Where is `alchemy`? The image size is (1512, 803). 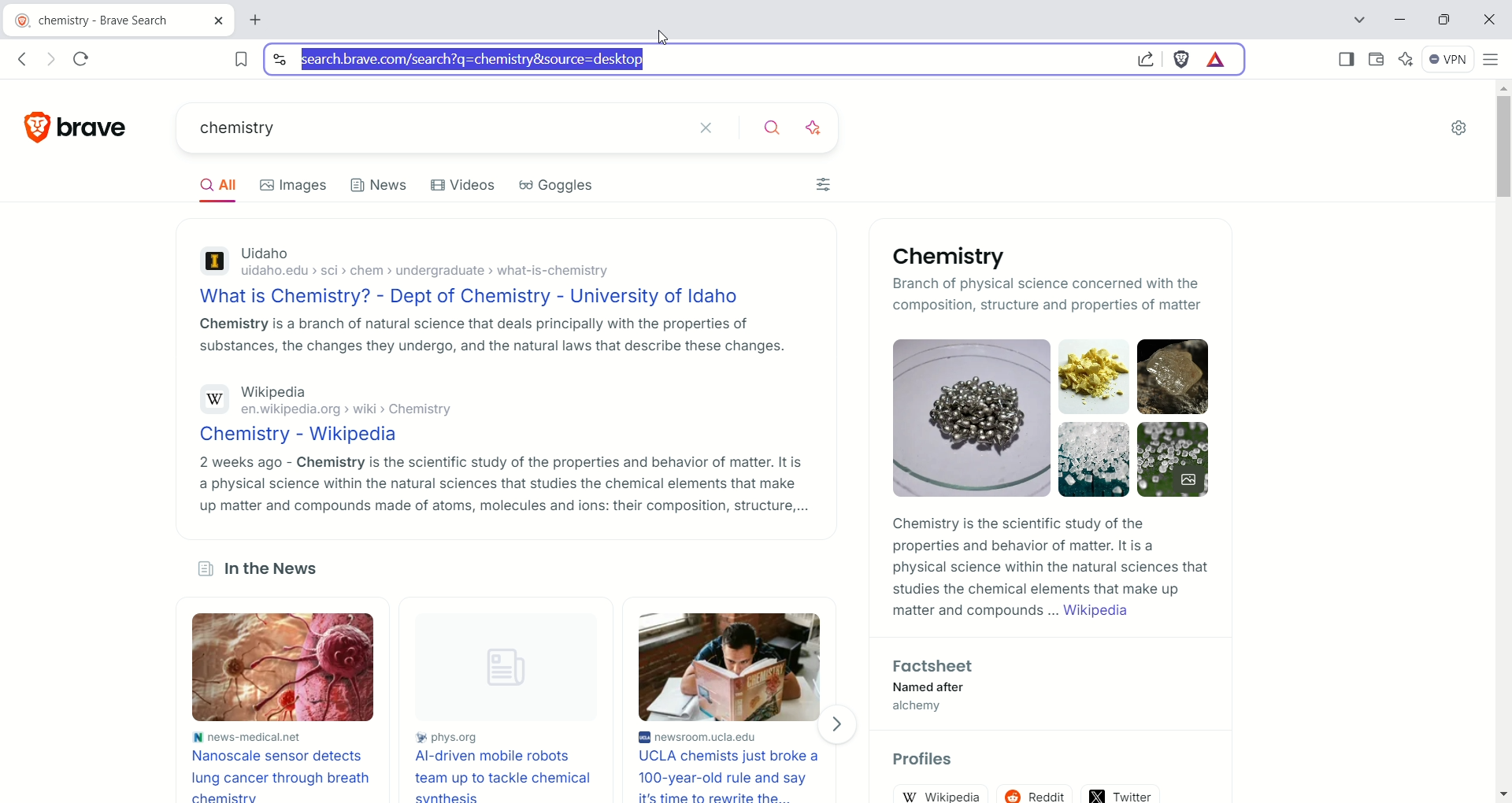 alchemy is located at coordinates (930, 707).